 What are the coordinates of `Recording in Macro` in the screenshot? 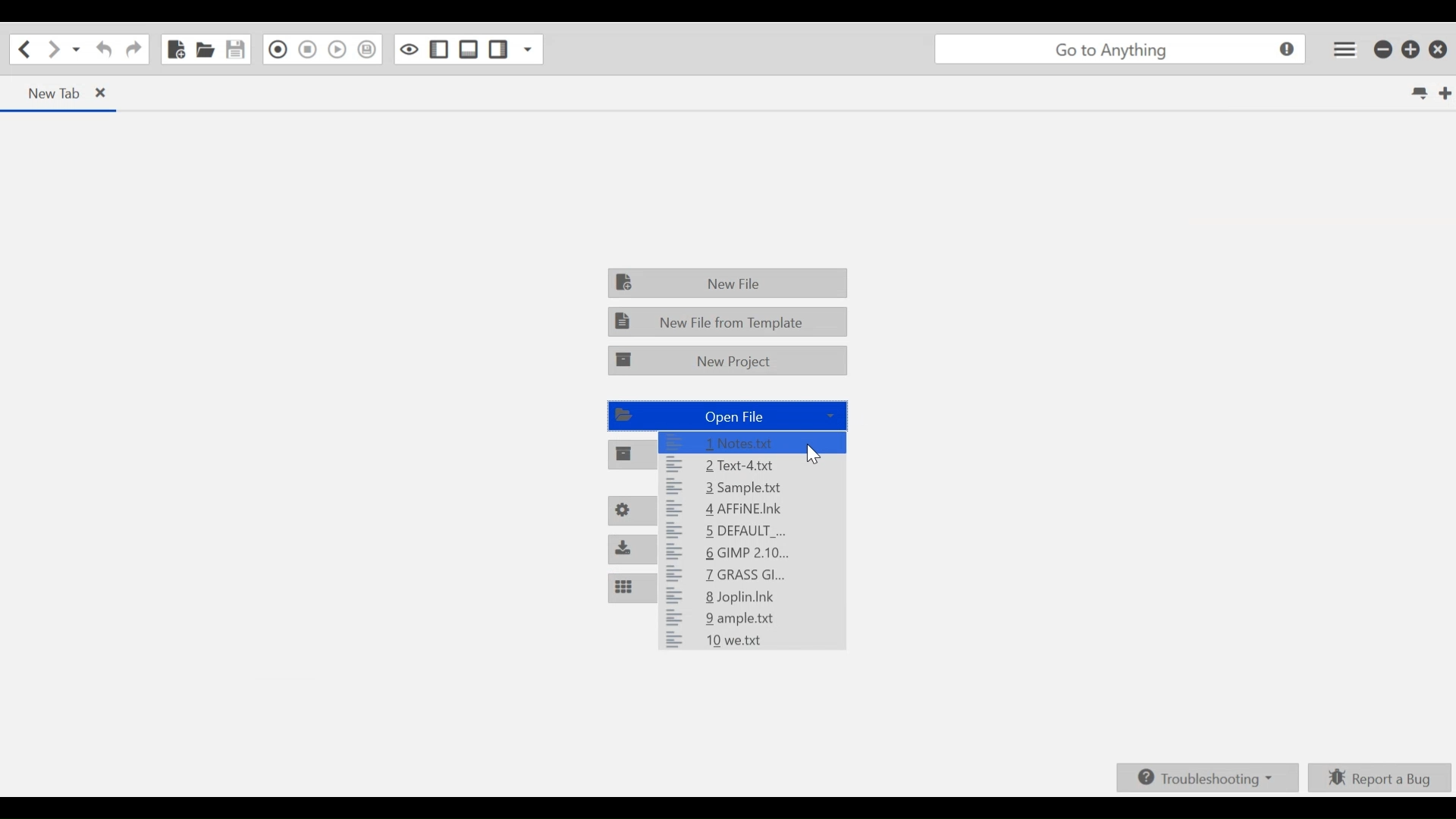 It's located at (276, 50).